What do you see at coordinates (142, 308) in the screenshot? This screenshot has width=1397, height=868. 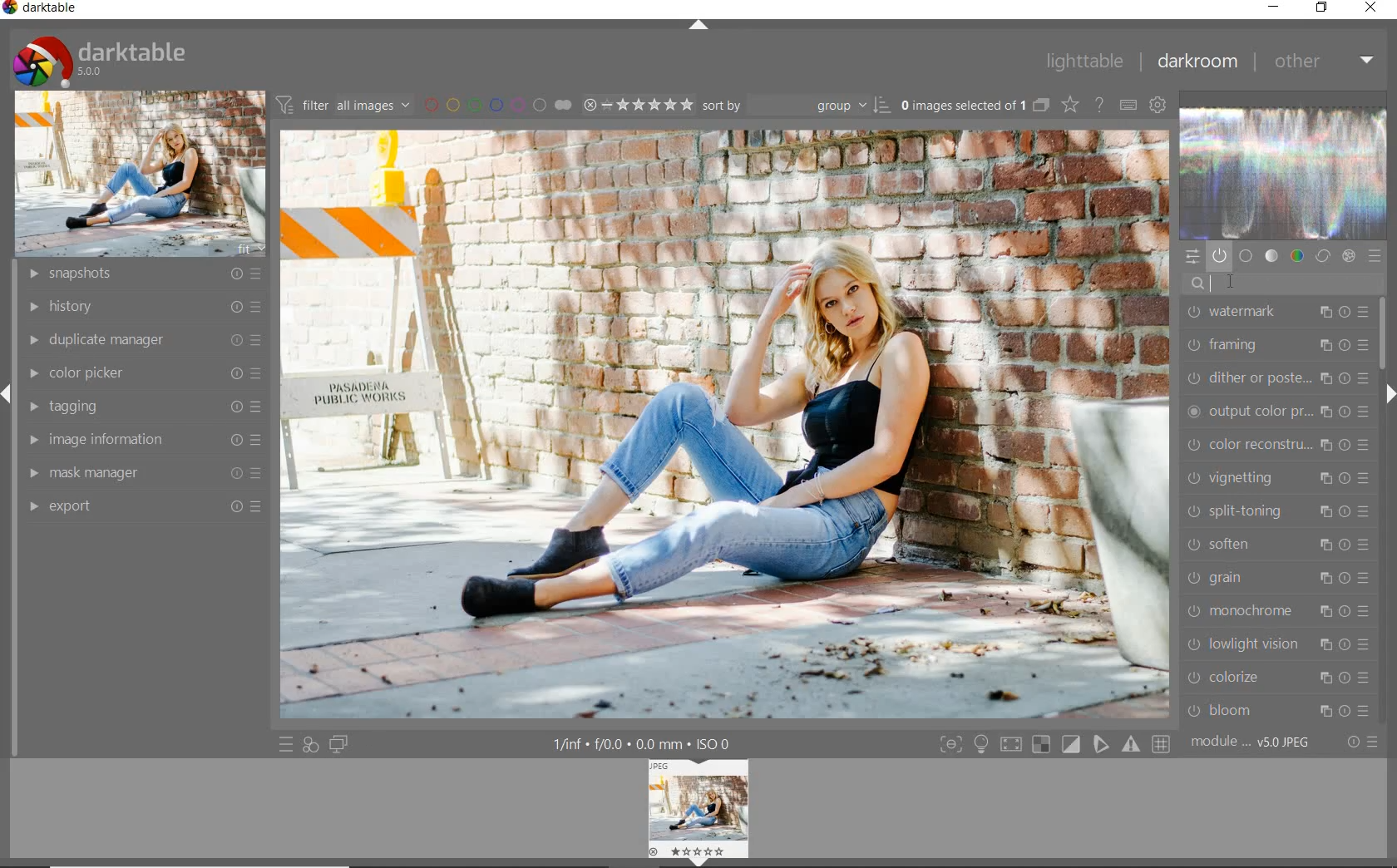 I see `history` at bounding box center [142, 308].